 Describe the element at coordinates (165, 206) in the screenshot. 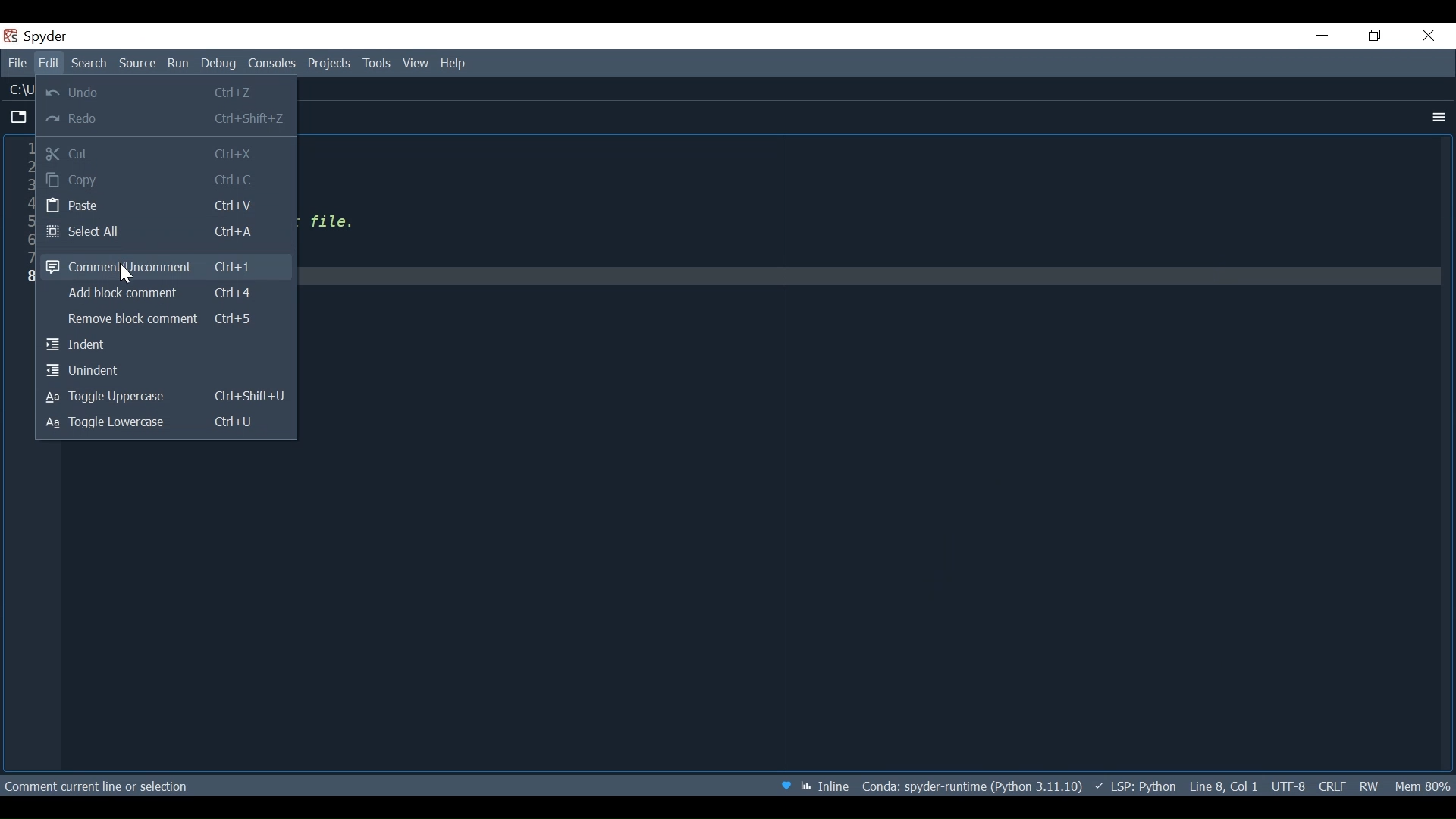

I see `Paste` at that location.